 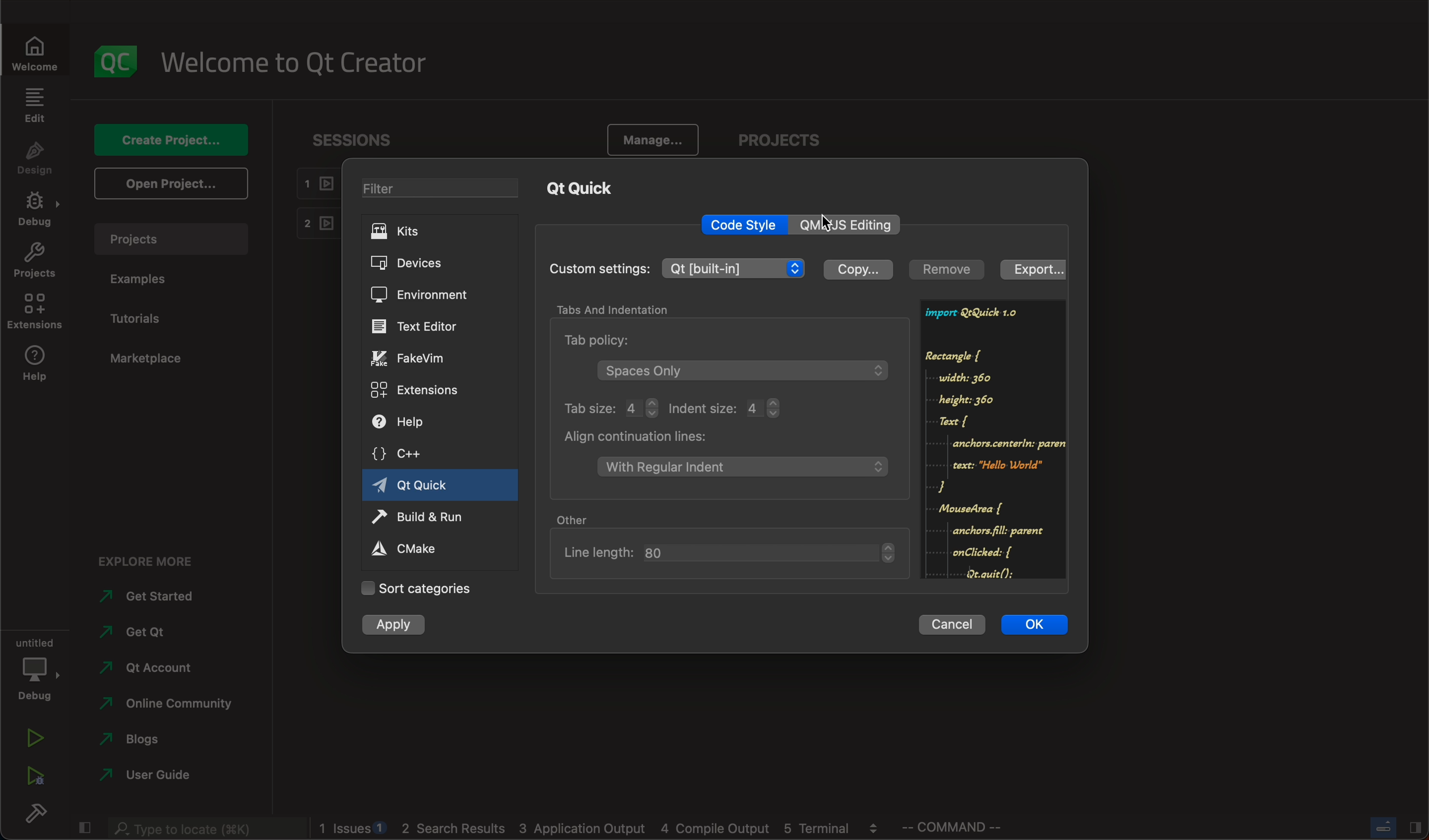 I want to click on ok, so click(x=1038, y=625).